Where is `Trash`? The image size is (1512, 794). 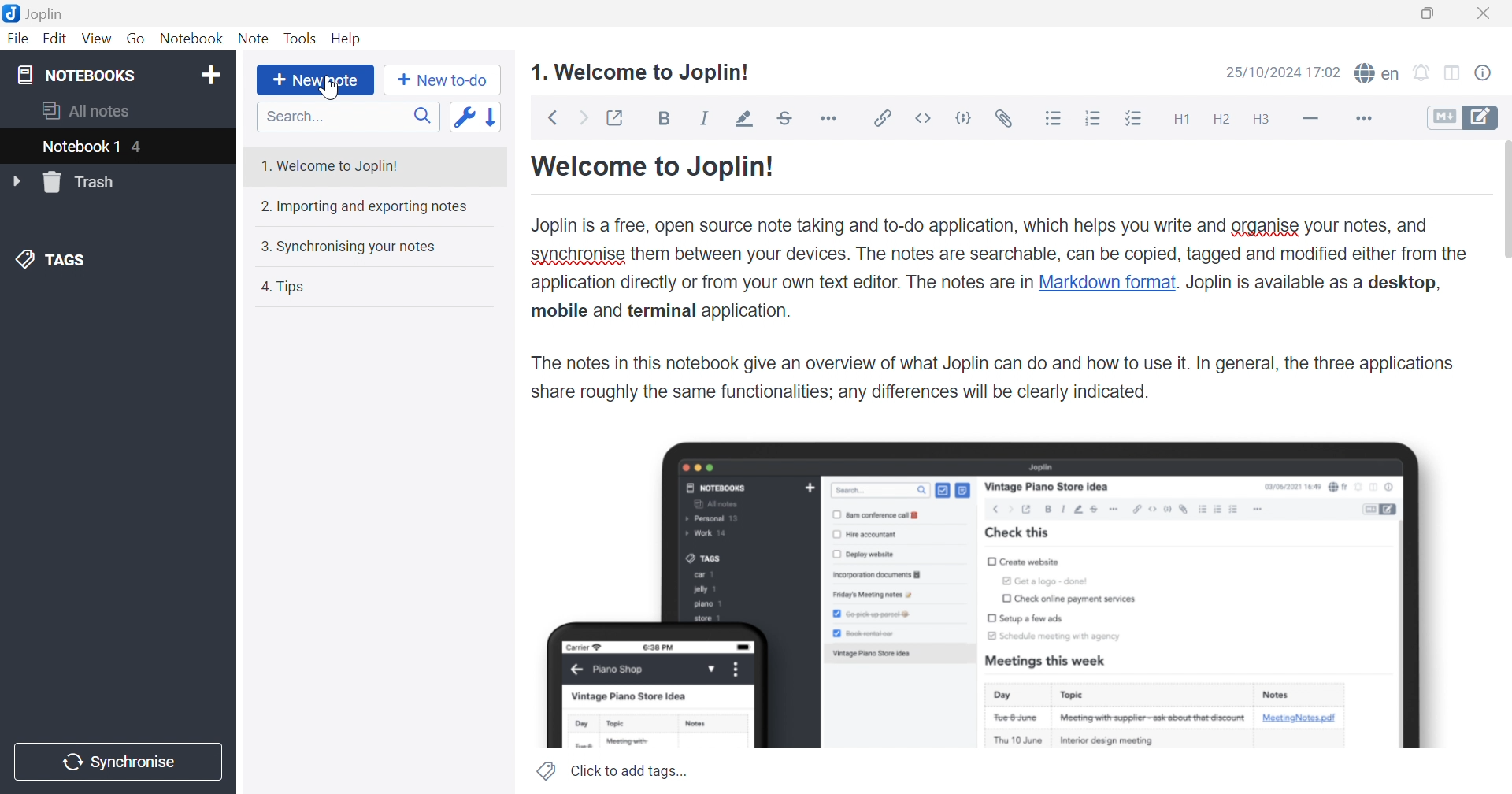
Trash is located at coordinates (81, 182).